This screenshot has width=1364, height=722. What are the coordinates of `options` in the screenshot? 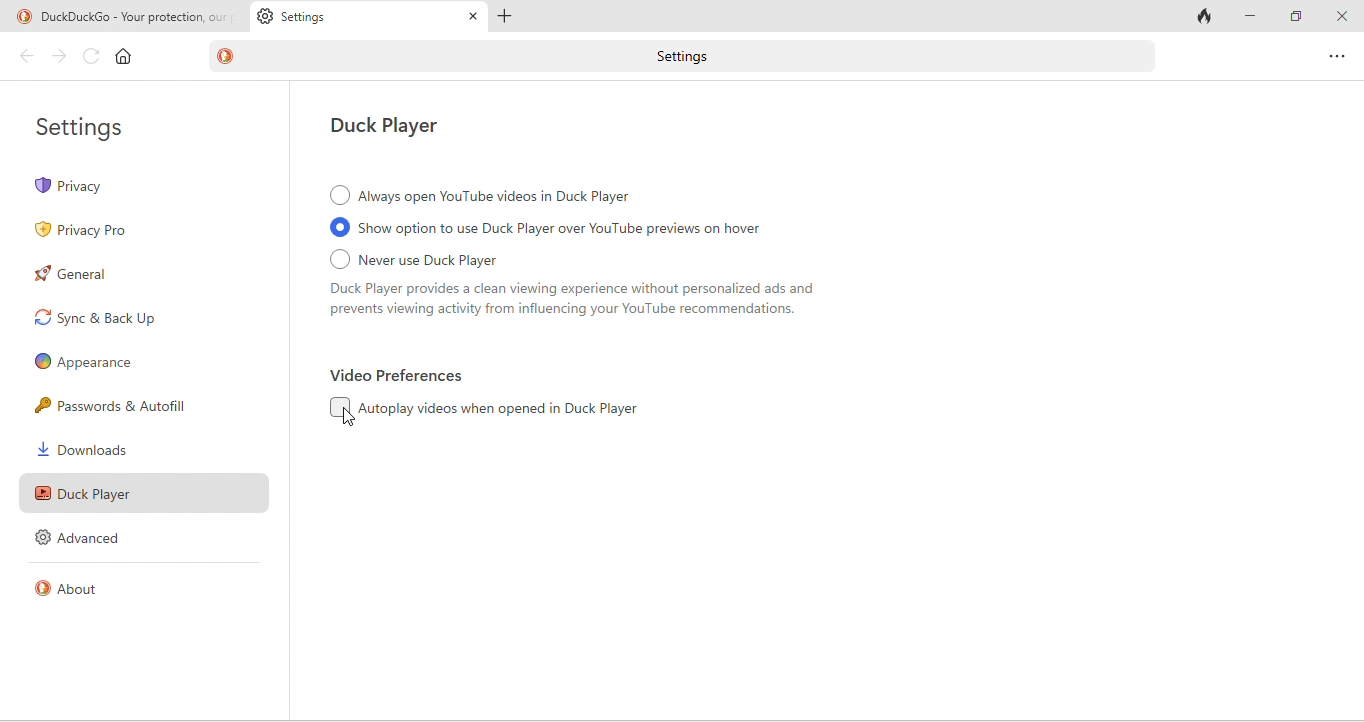 It's located at (1333, 55).